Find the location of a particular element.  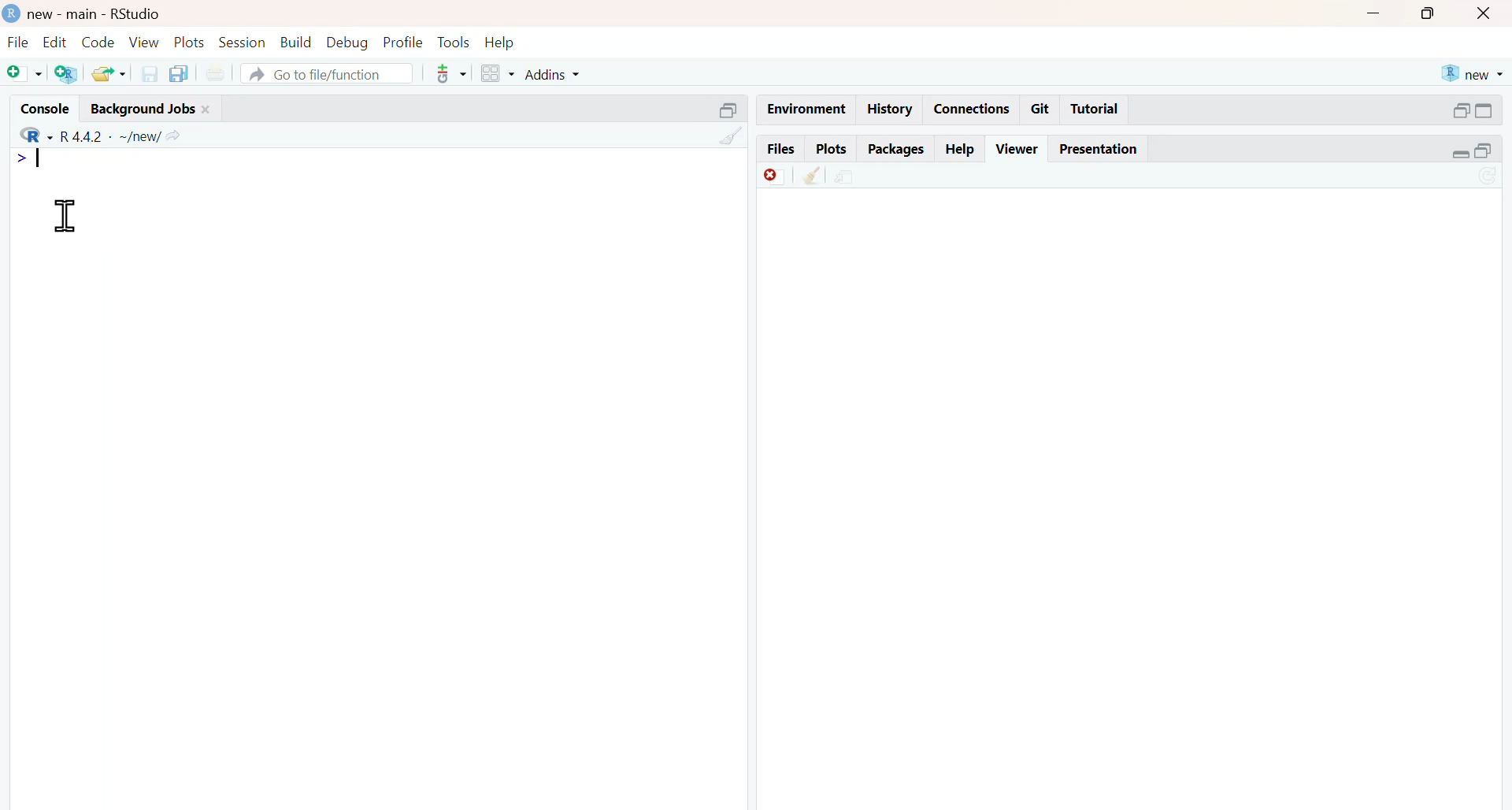

packages is located at coordinates (898, 150).